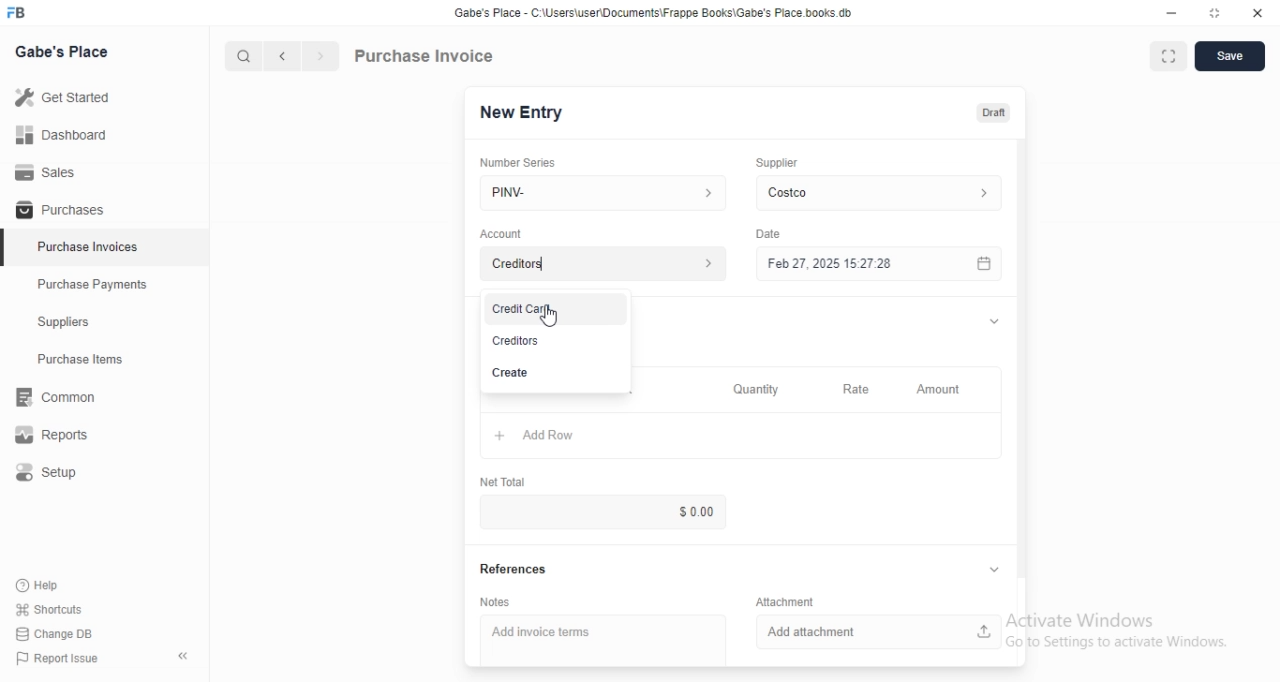  What do you see at coordinates (104, 134) in the screenshot?
I see `Dashboard` at bounding box center [104, 134].